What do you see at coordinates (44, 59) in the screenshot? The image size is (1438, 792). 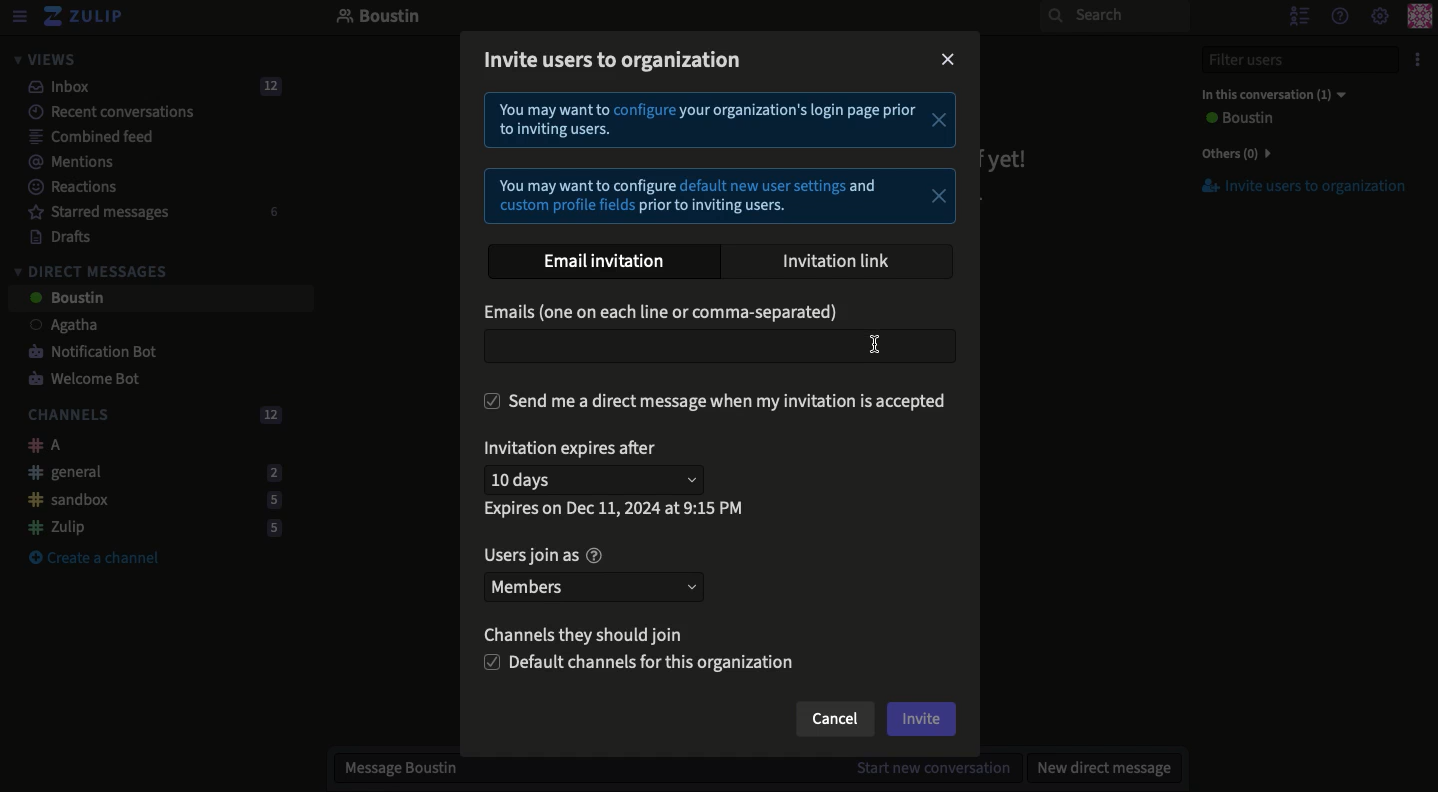 I see `Views` at bounding box center [44, 59].